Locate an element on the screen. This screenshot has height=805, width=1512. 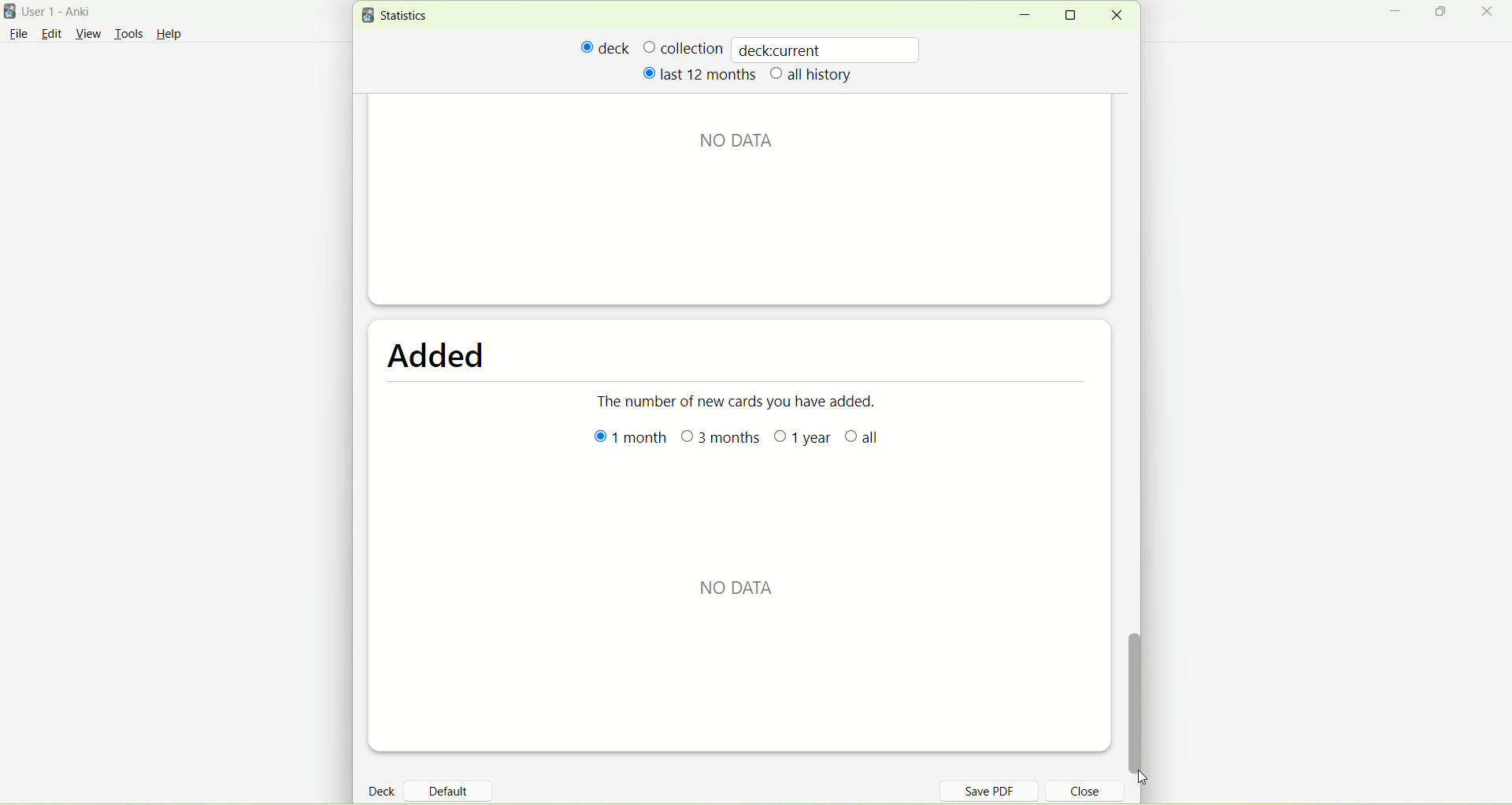
text is located at coordinates (750, 141).